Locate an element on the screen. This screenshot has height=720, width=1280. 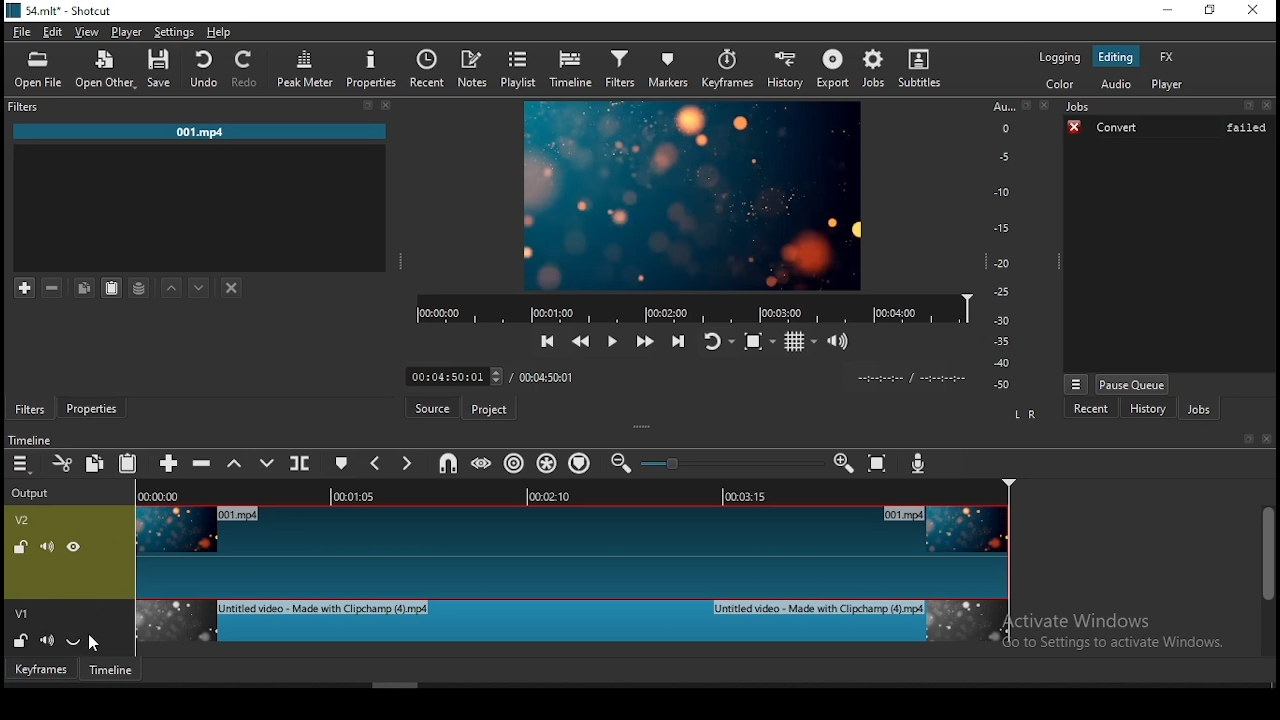
redo is located at coordinates (249, 69).